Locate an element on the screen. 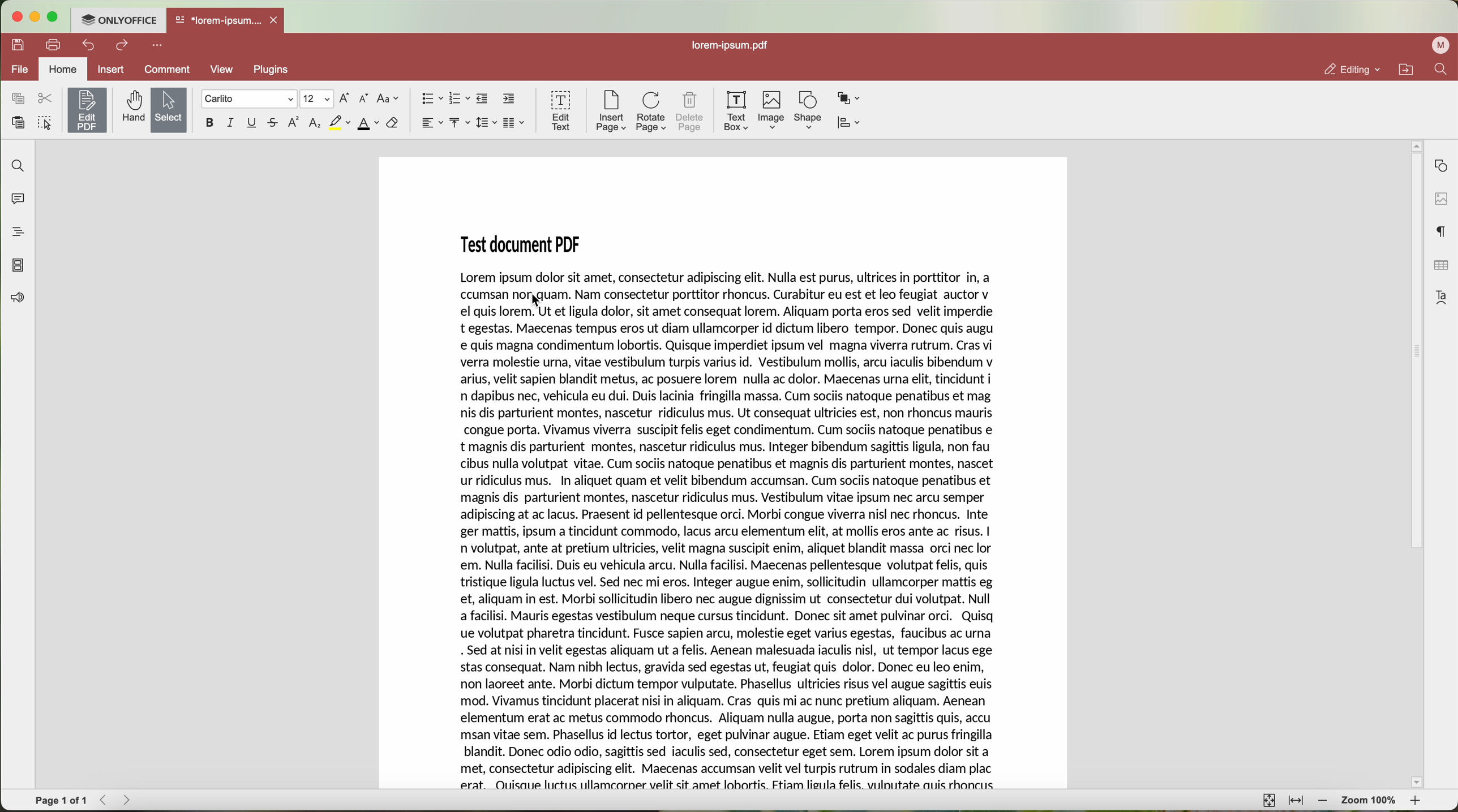 The image size is (1458, 812). image is located at coordinates (773, 110).